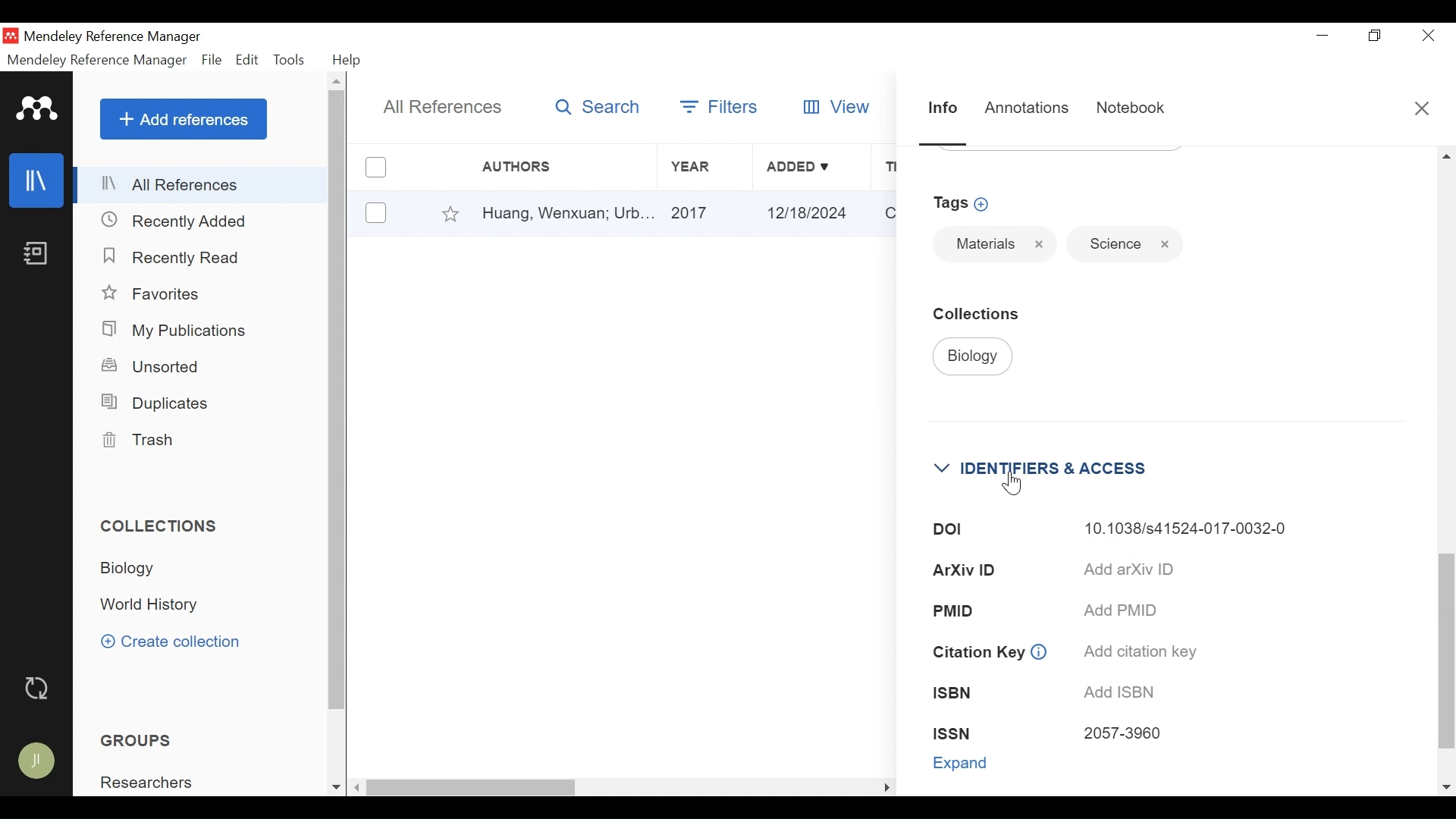 The image size is (1456, 819). Describe the element at coordinates (136, 740) in the screenshot. I see `Groups` at that location.